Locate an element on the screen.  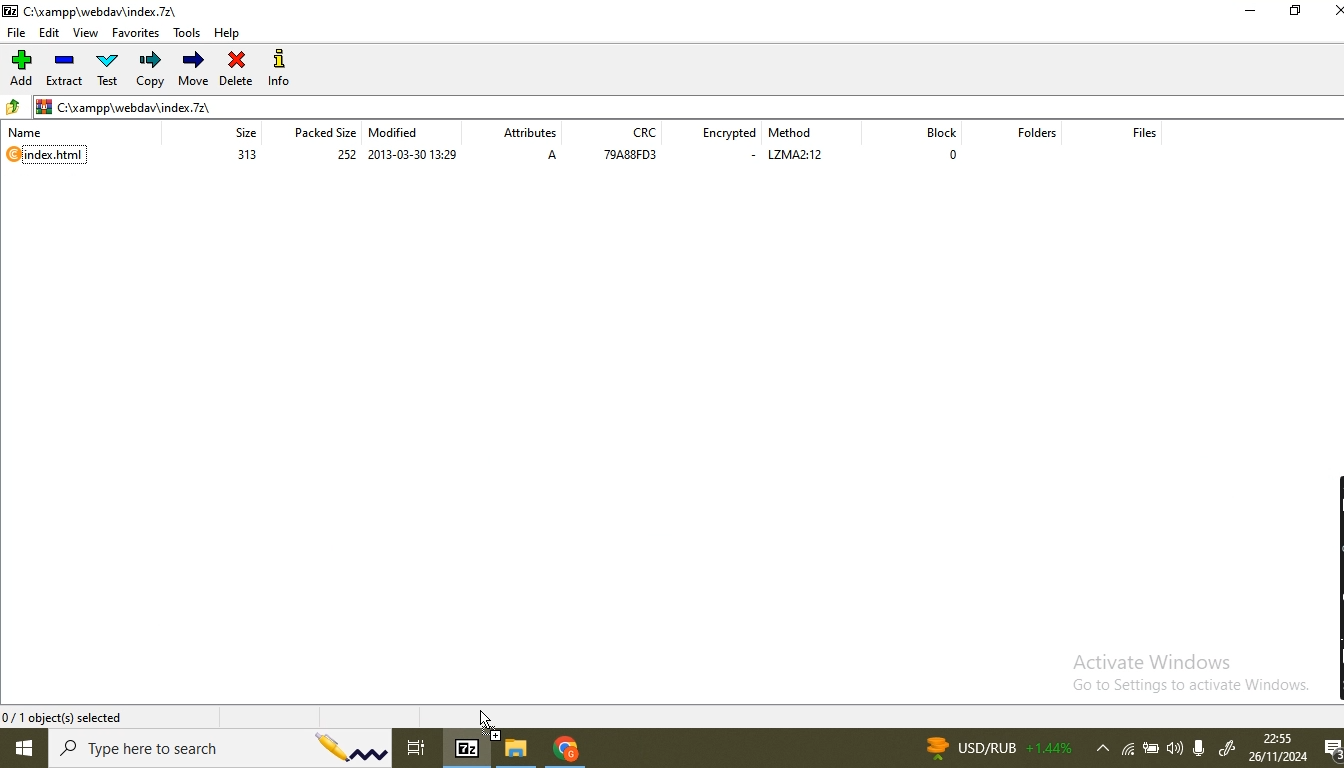
add is located at coordinates (21, 69).